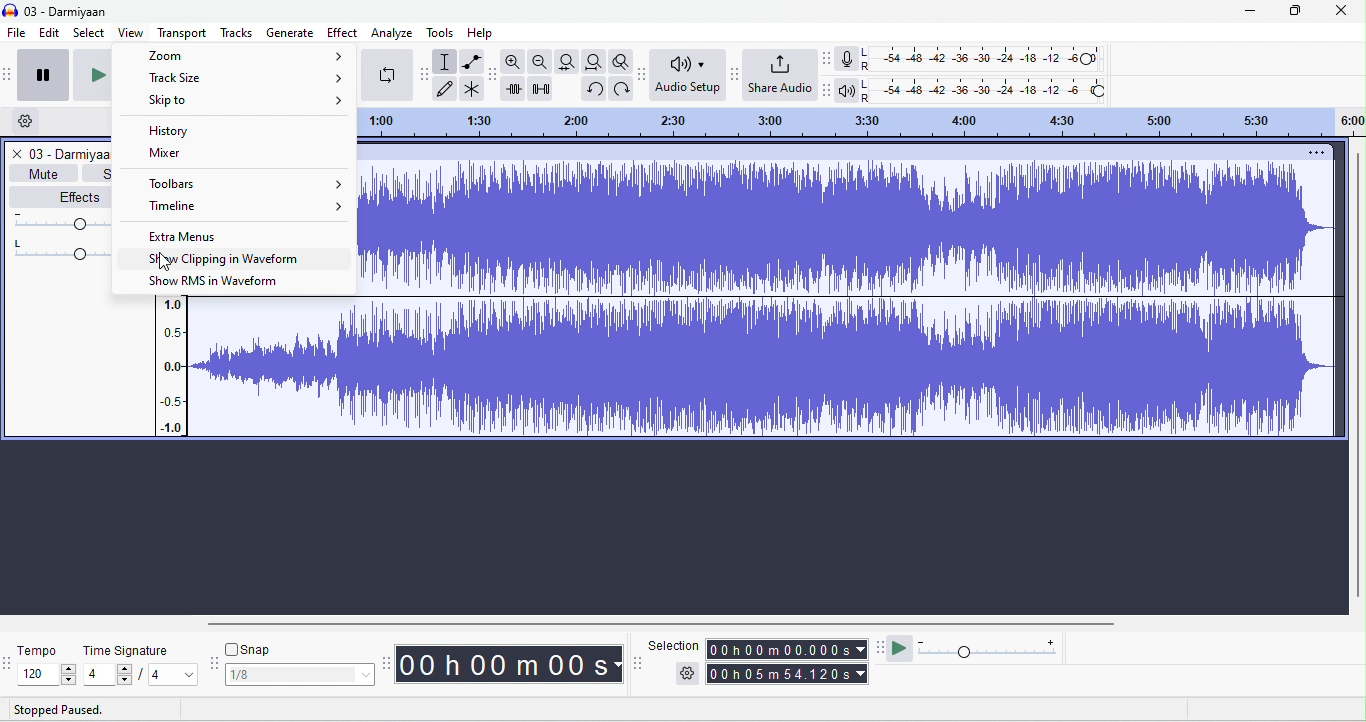 This screenshot has width=1366, height=722. Describe the element at coordinates (237, 33) in the screenshot. I see `tracks` at that location.